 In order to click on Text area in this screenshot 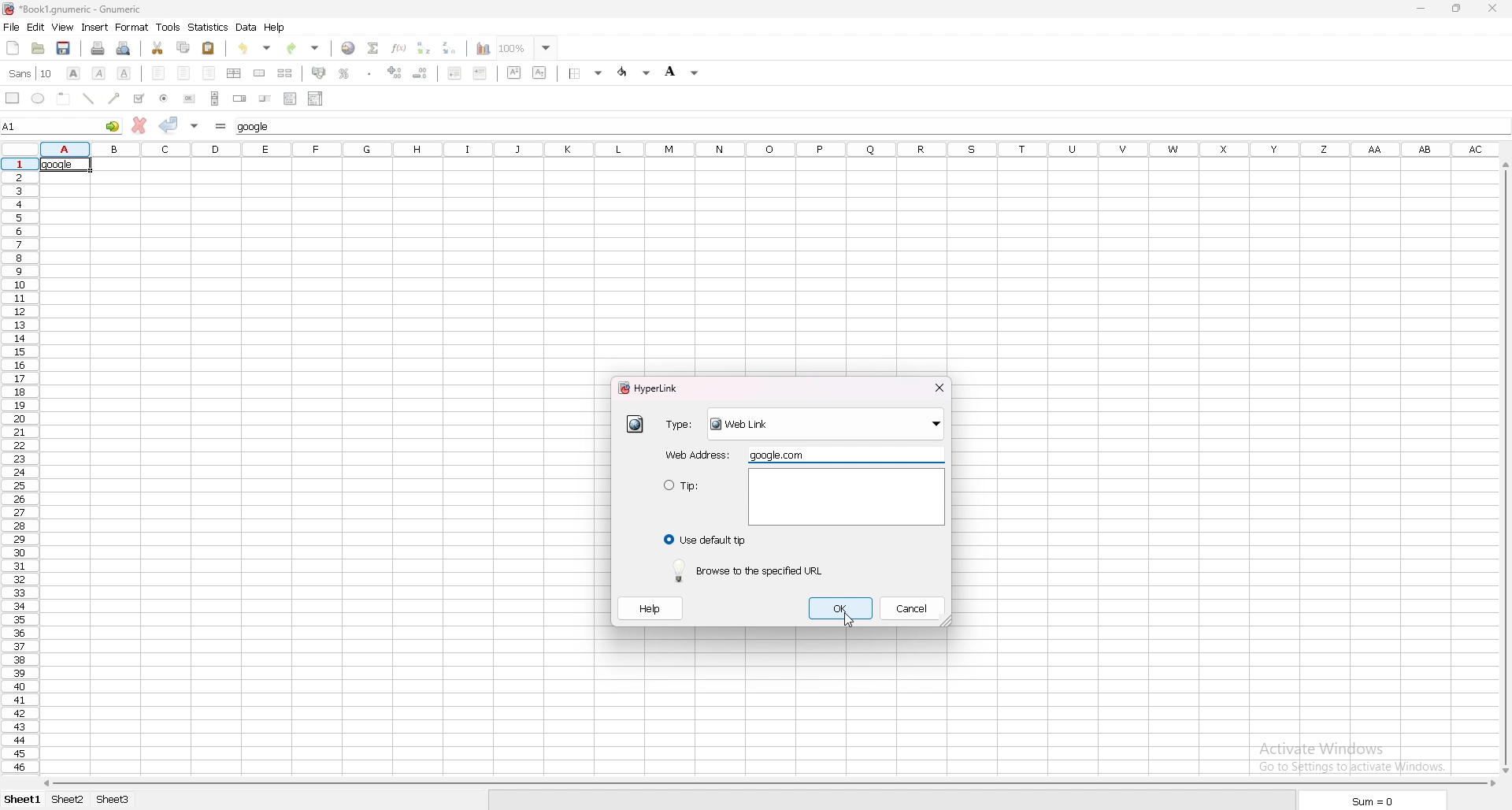, I will do `click(848, 496)`.